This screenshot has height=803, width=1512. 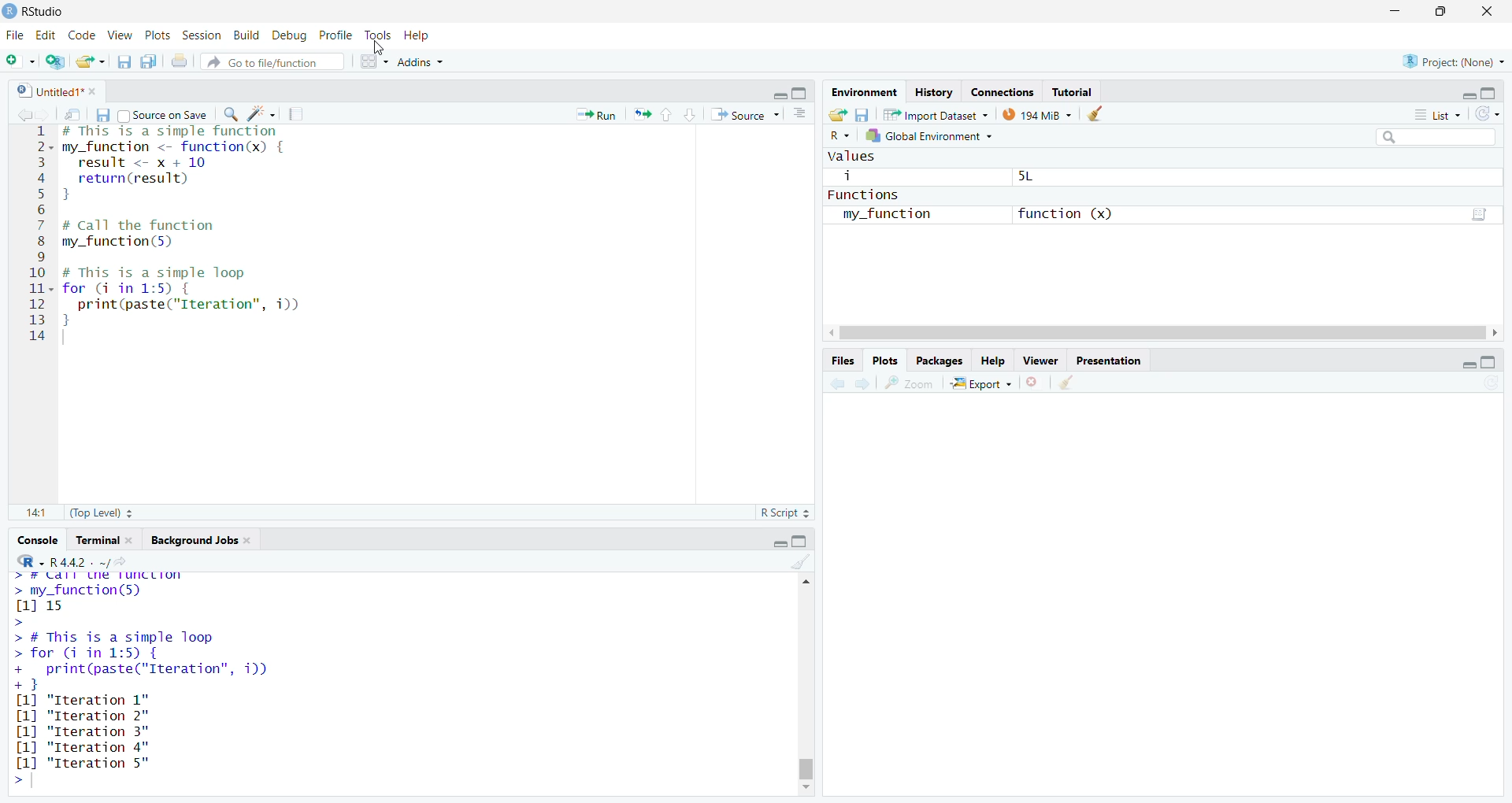 I want to click on maximize, so click(x=1497, y=363).